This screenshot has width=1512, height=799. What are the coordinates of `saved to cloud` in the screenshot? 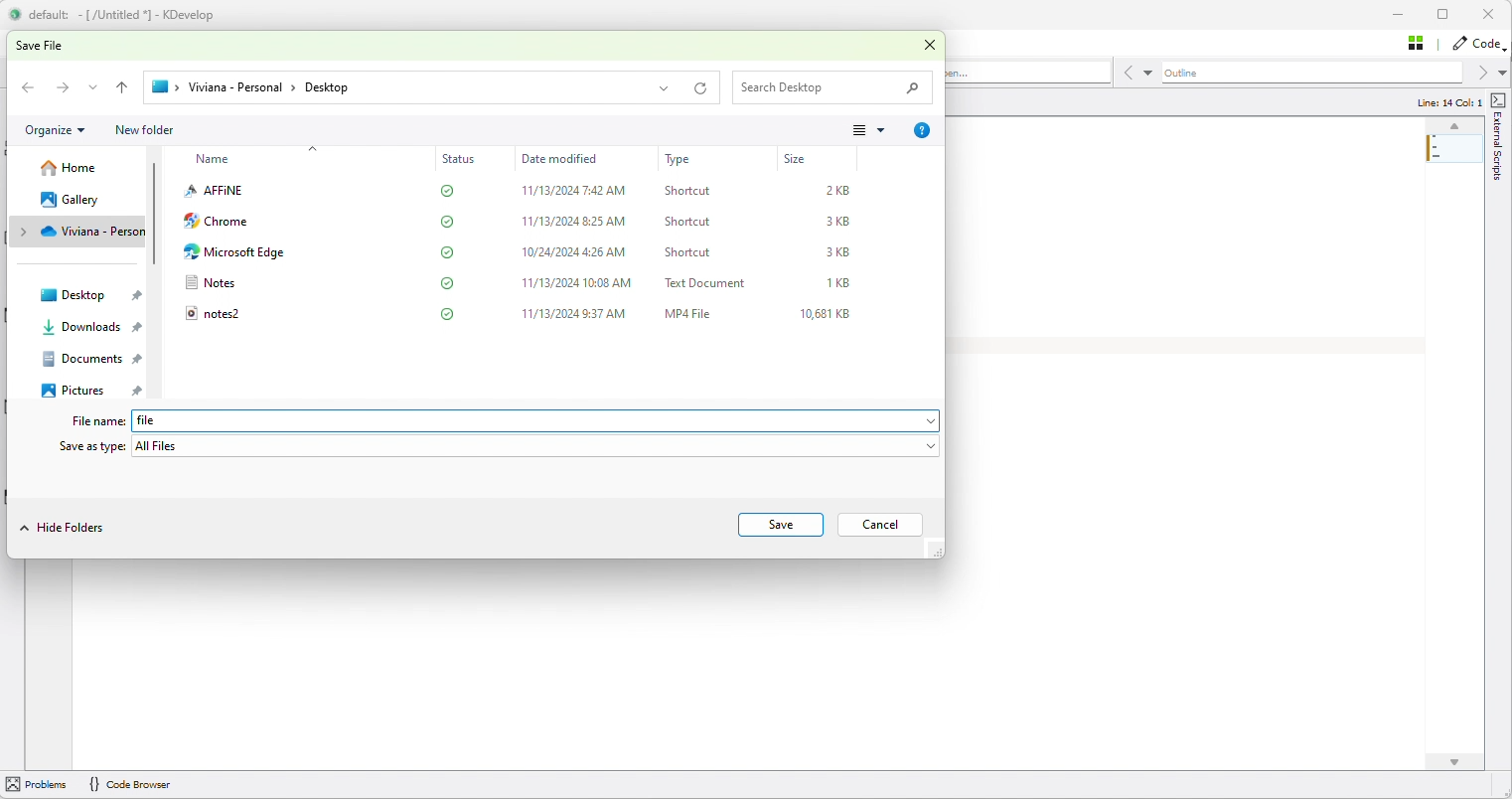 It's located at (450, 251).